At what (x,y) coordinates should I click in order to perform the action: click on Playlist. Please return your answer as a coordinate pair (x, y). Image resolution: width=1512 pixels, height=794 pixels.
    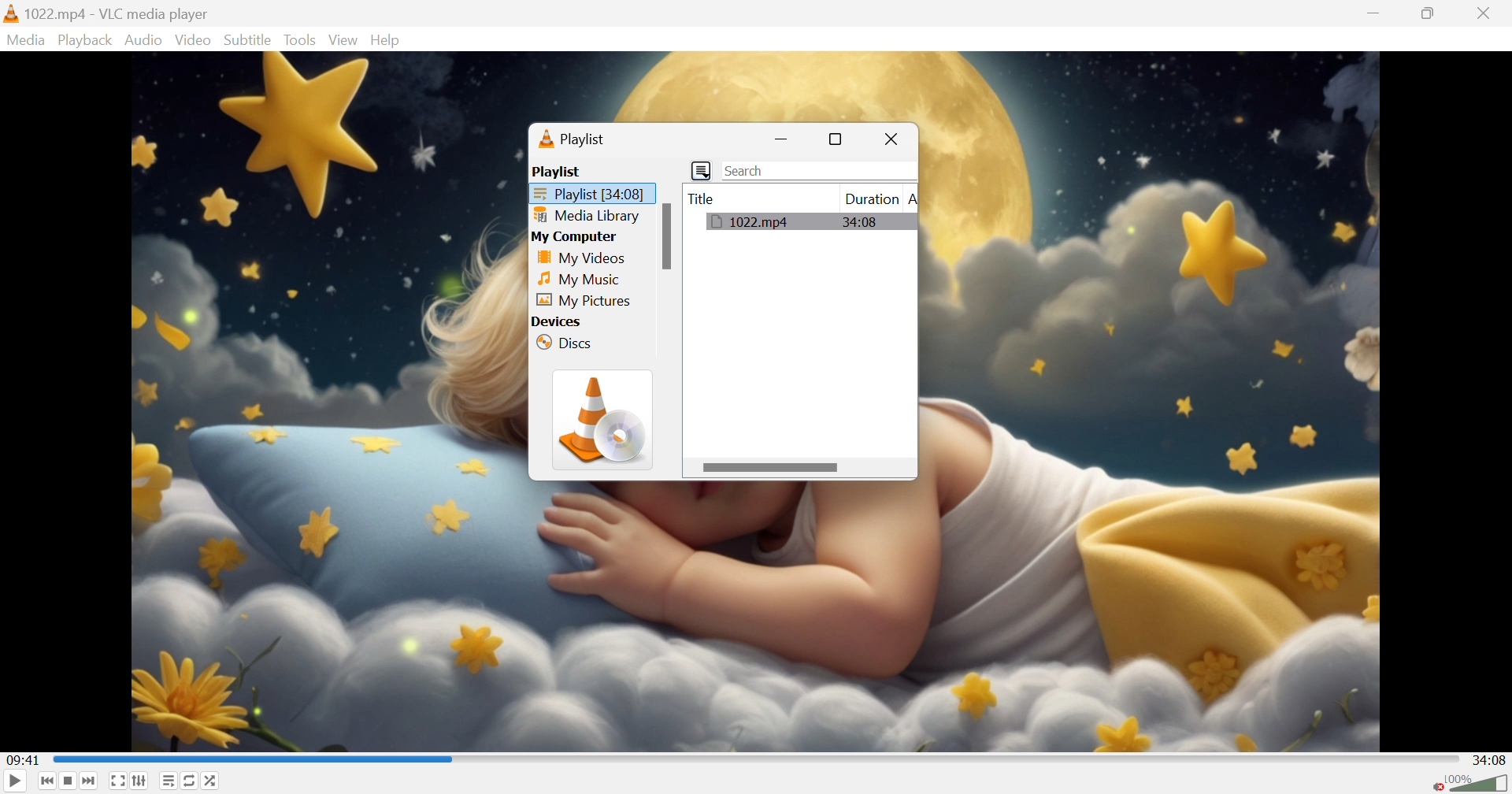
    Looking at the image, I should click on (573, 137).